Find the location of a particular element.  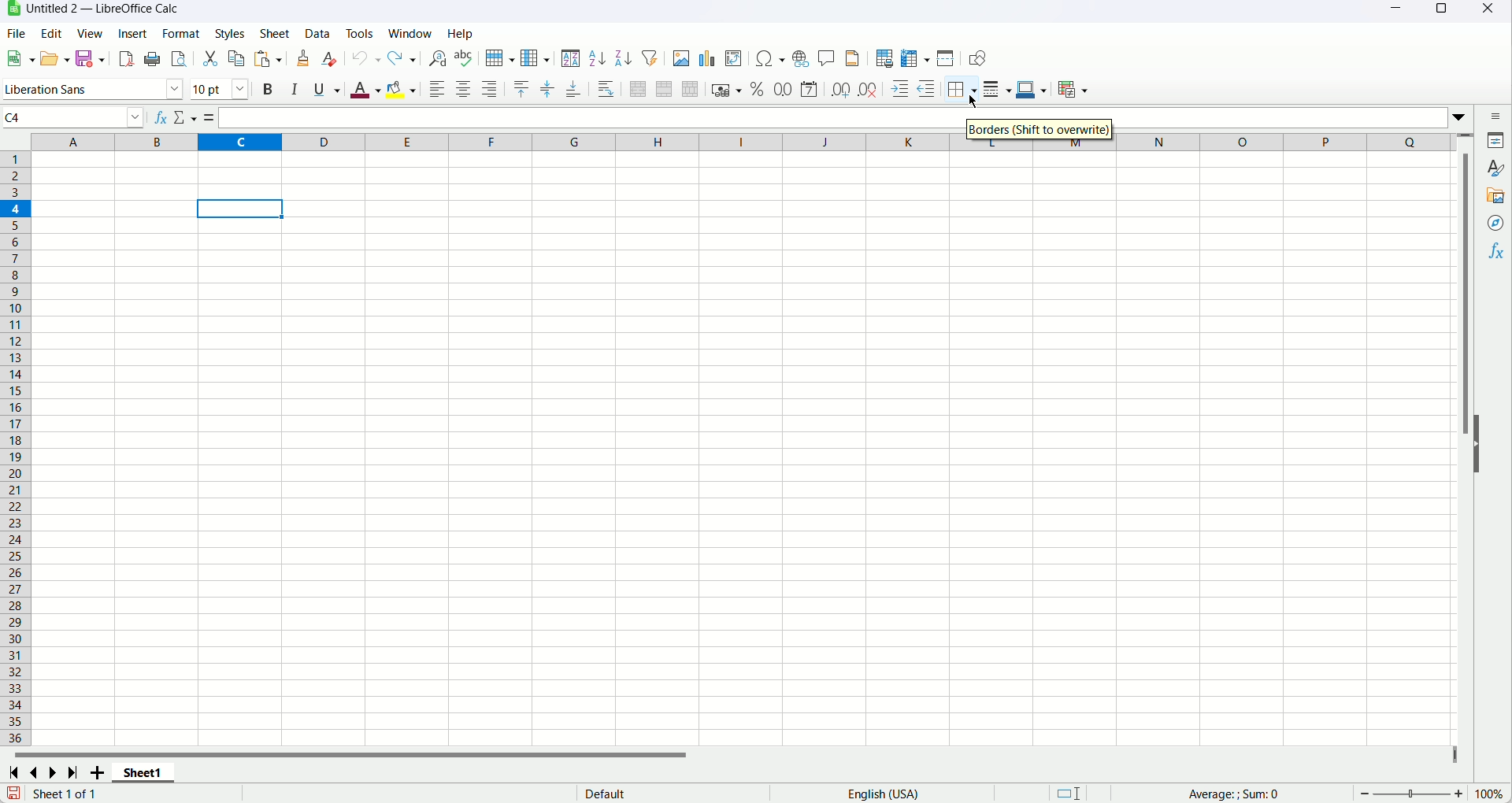

Styles is located at coordinates (228, 33).